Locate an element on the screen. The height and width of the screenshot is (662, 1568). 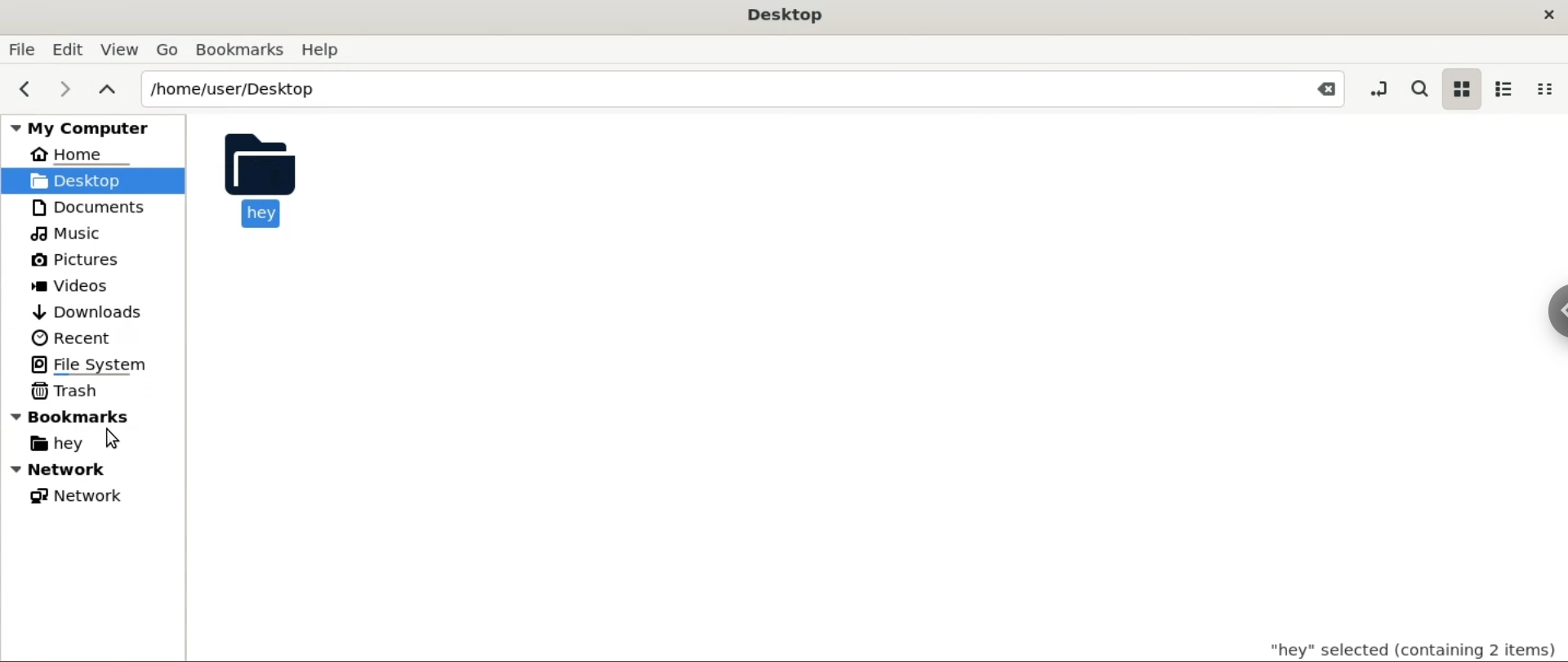
list view is located at coordinates (1504, 88).